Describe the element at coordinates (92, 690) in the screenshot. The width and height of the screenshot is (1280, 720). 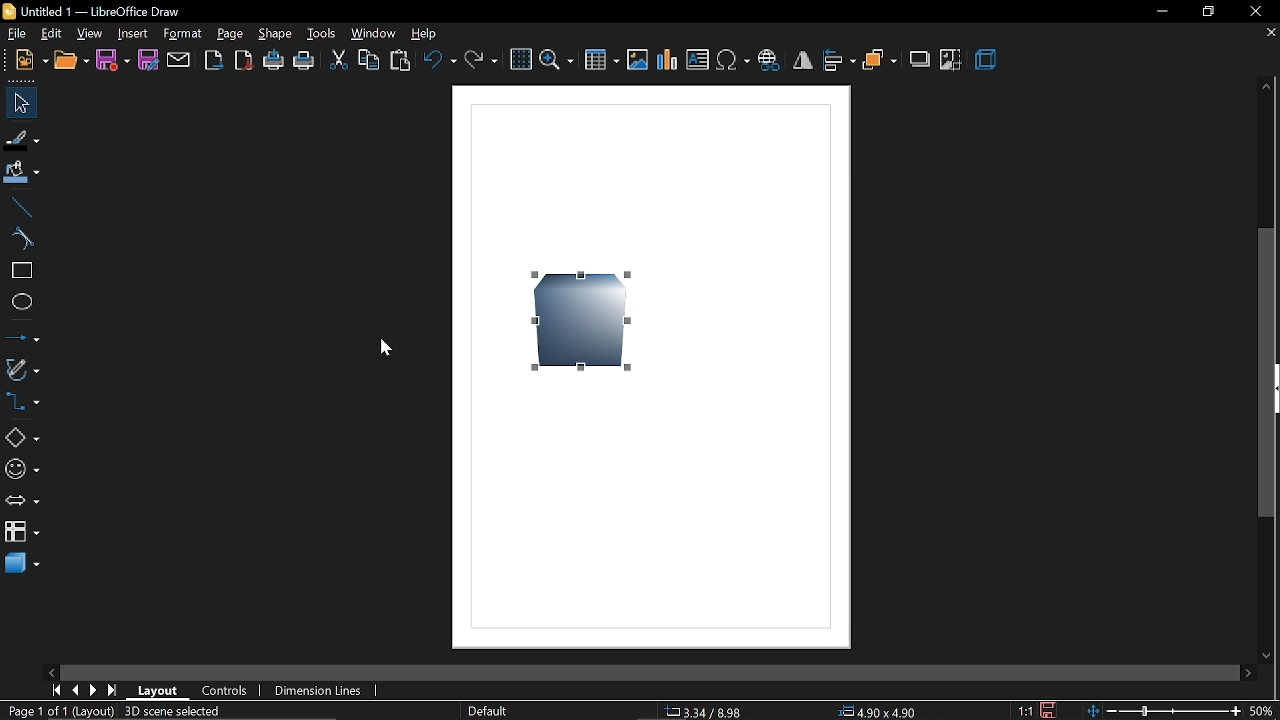
I see `next page` at that location.